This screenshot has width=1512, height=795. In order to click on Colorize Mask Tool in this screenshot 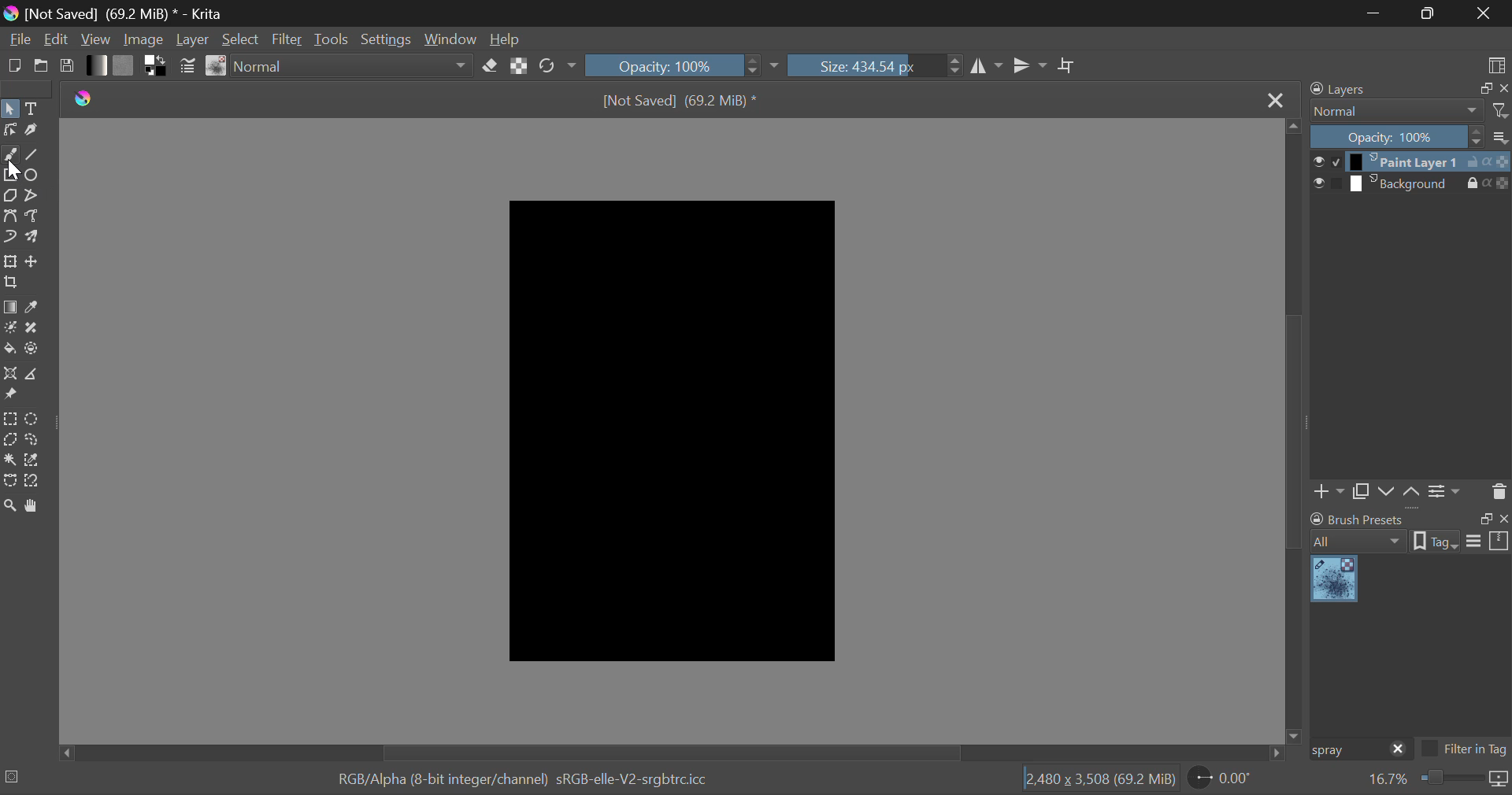, I will do `click(10, 329)`.